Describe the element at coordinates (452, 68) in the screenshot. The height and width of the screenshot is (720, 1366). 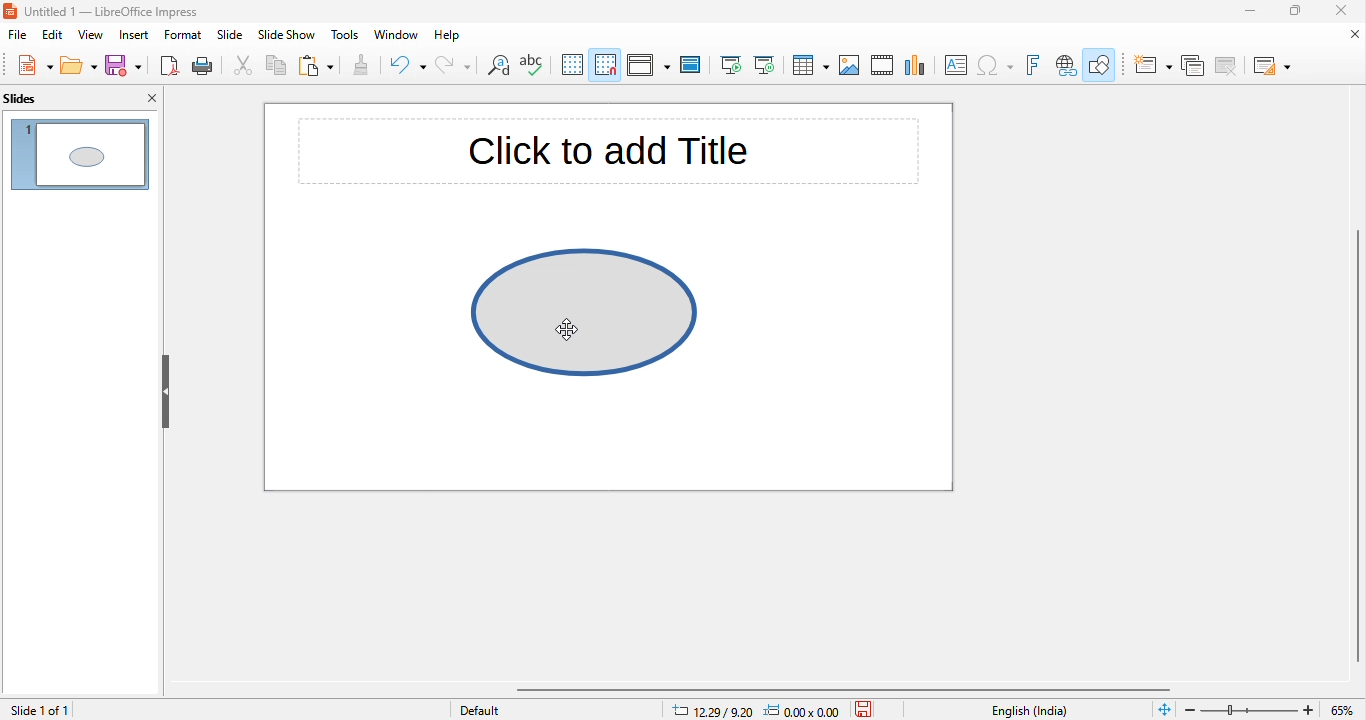
I see `redo` at that location.